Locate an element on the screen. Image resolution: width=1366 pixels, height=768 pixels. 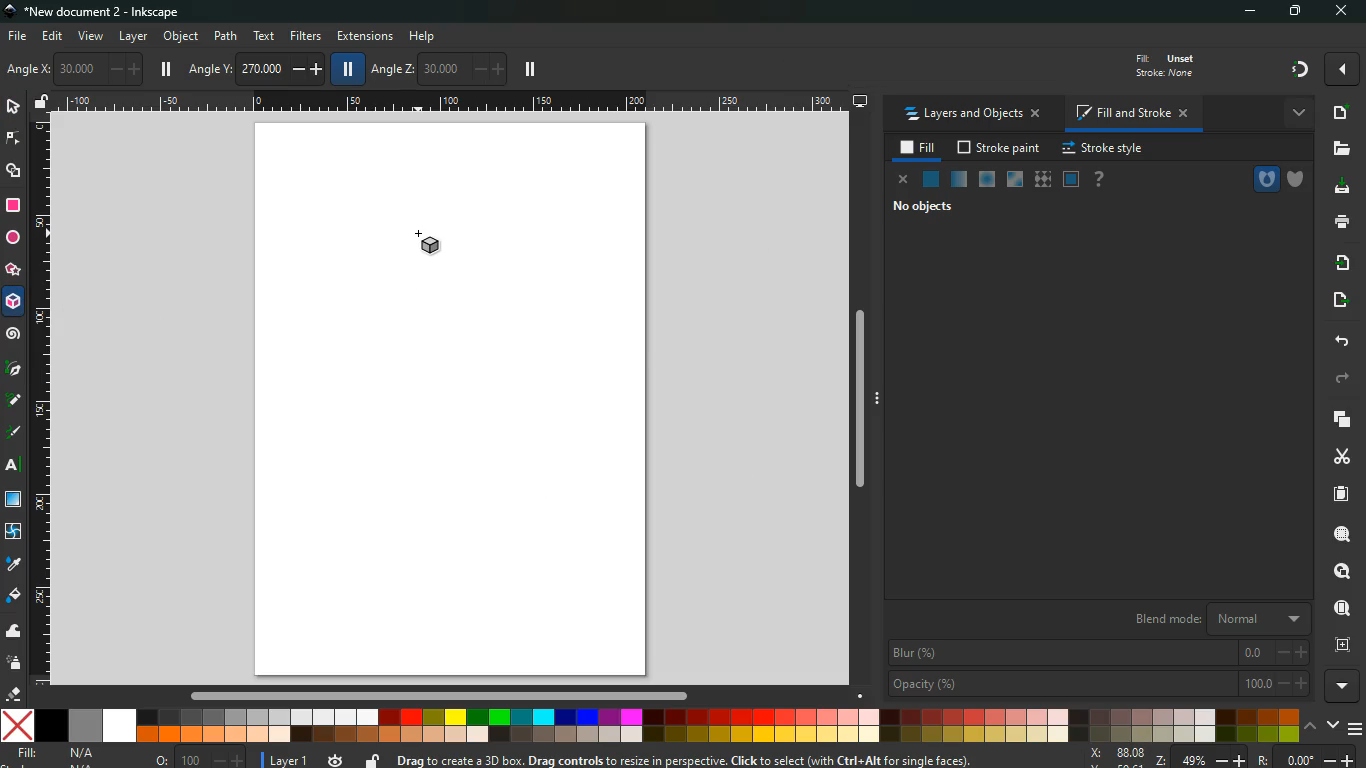
Scroll bar is located at coordinates (436, 696).